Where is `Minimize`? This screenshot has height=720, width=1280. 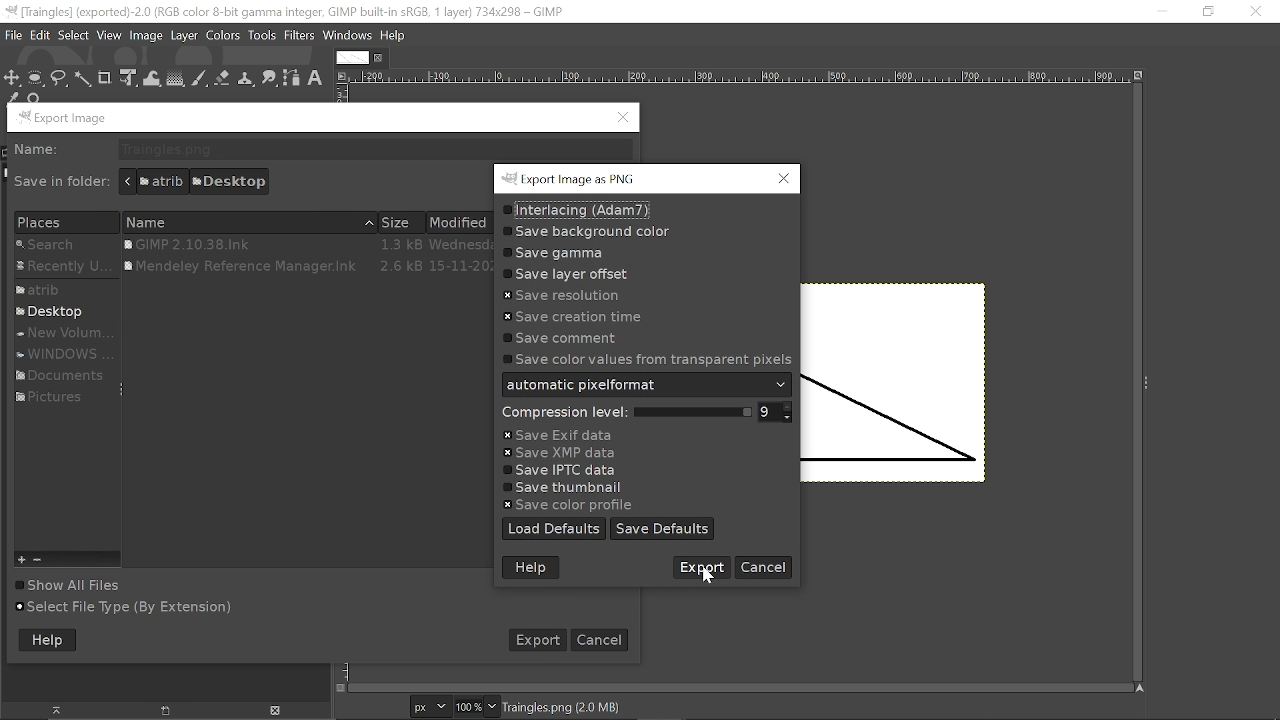 Minimize is located at coordinates (1159, 12).